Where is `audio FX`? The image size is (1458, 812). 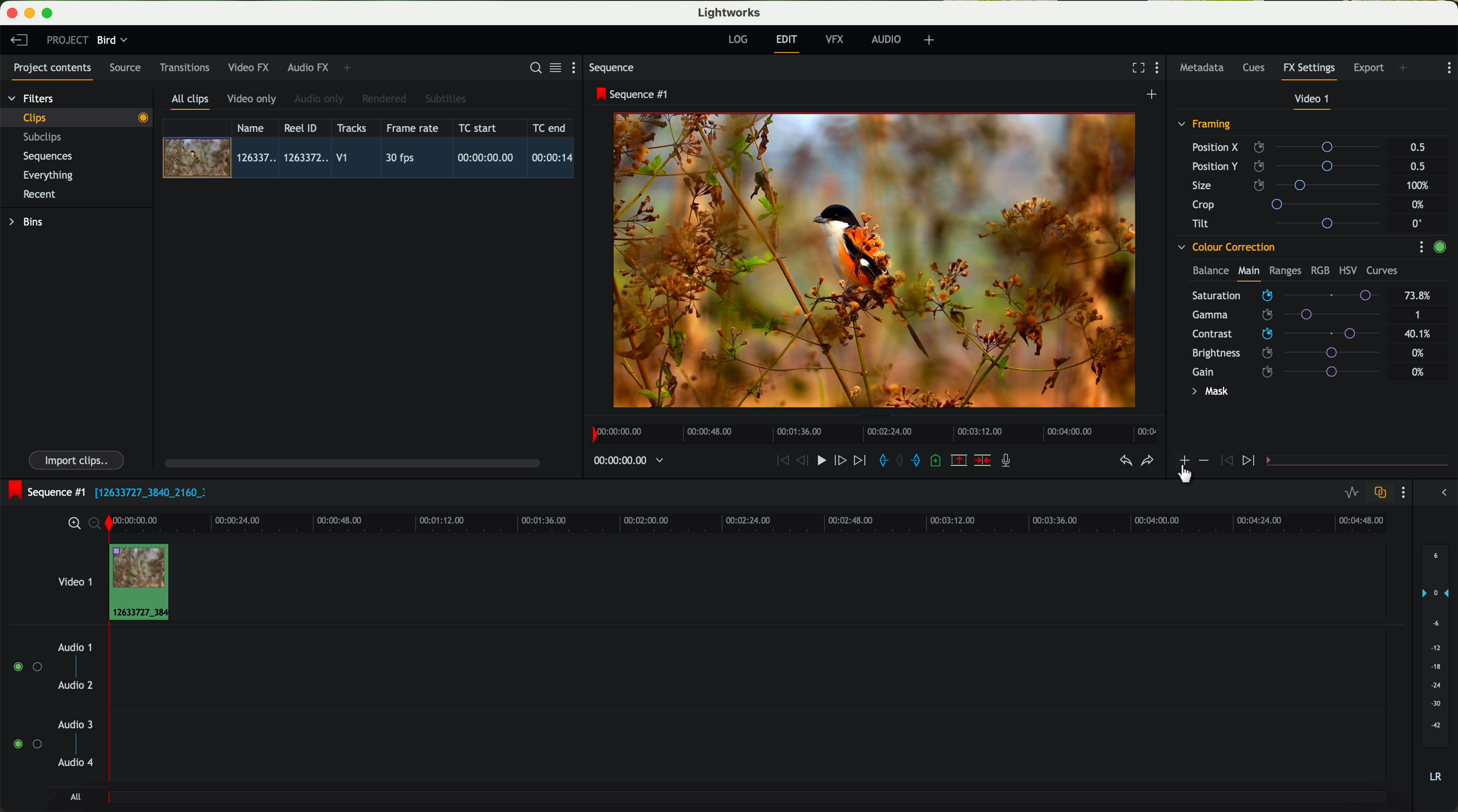 audio FX is located at coordinates (308, 67).